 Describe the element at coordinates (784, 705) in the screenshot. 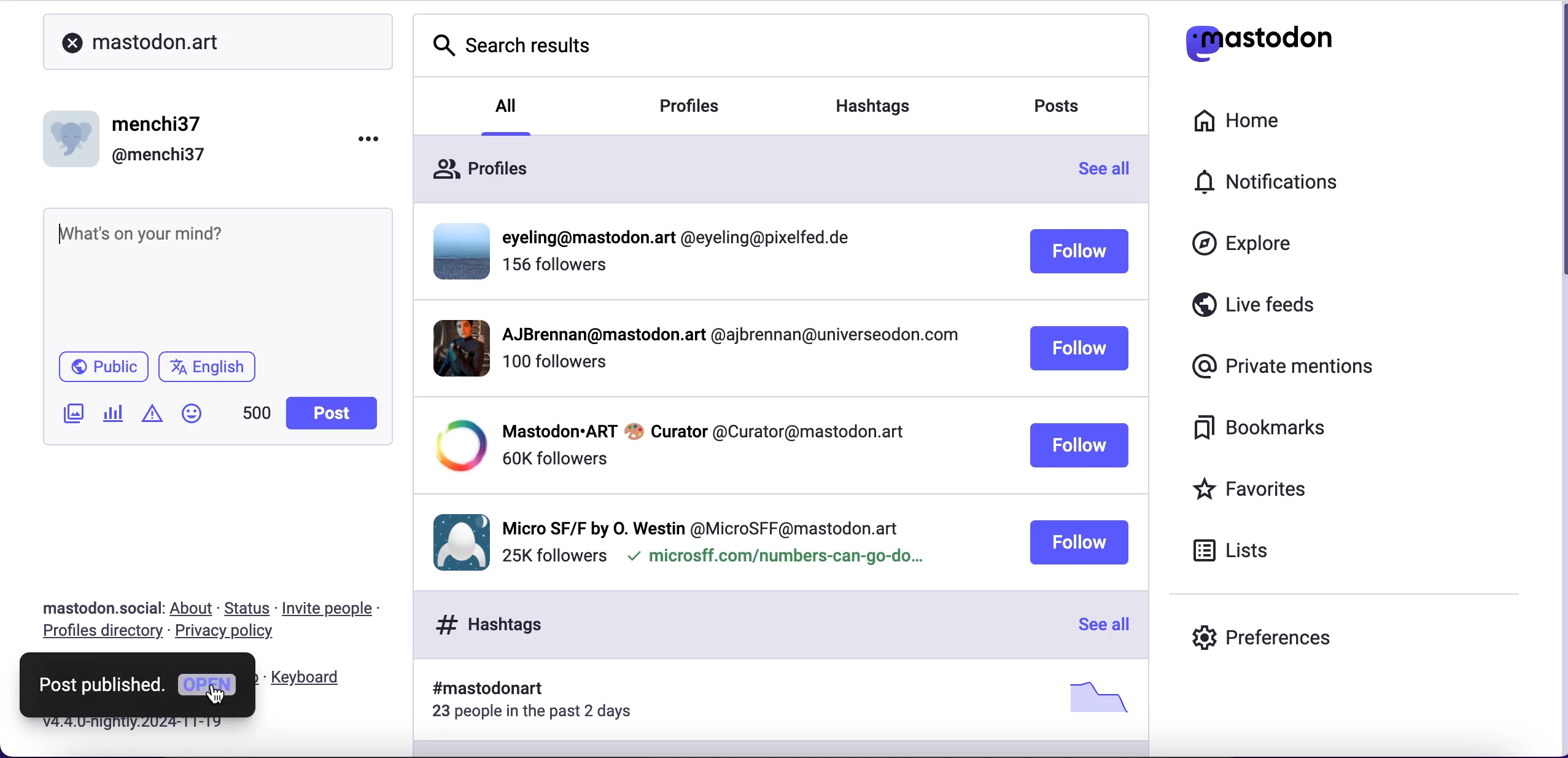

I see `hashtags` at that location.